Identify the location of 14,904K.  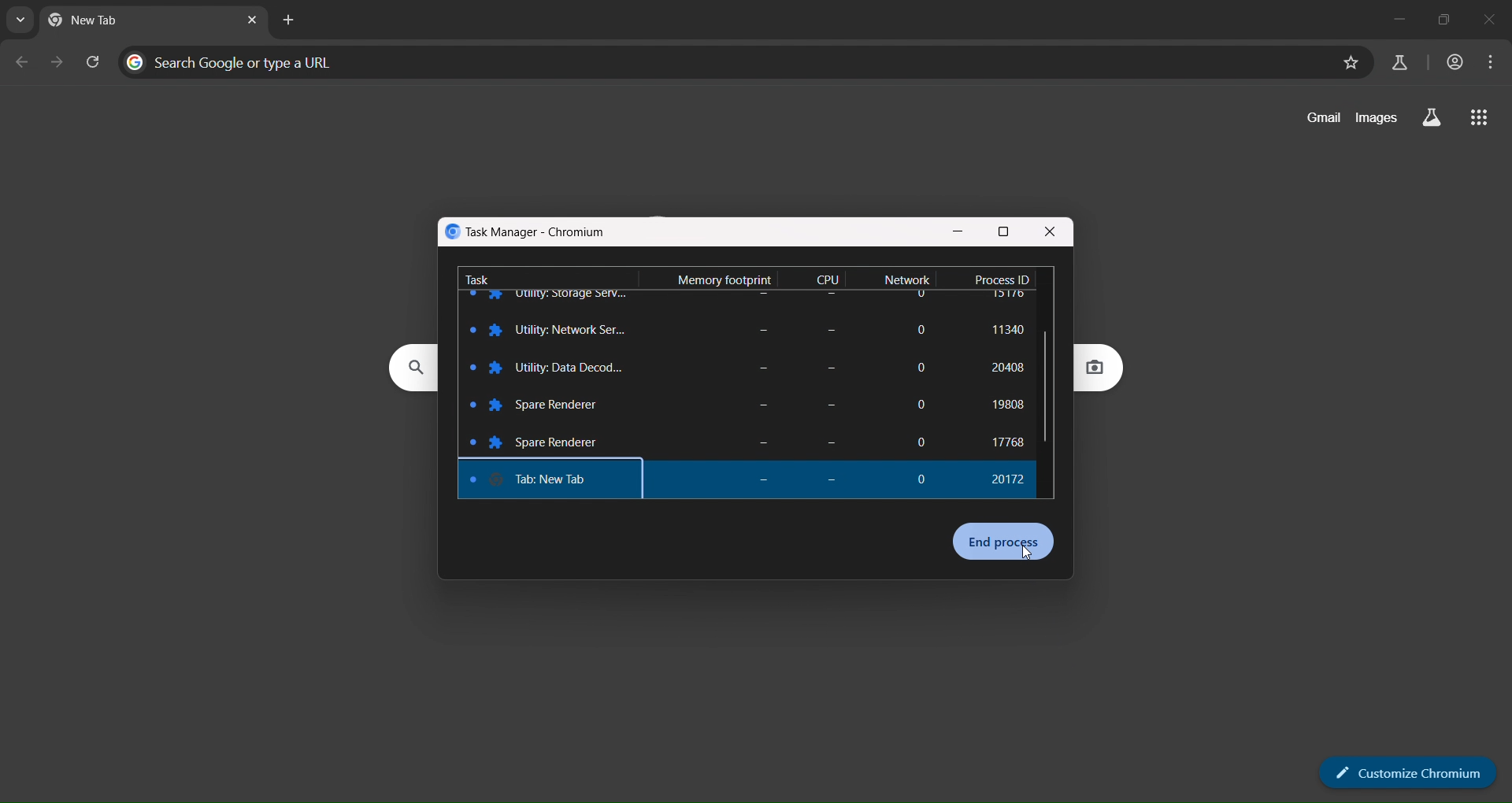
(748, 445).